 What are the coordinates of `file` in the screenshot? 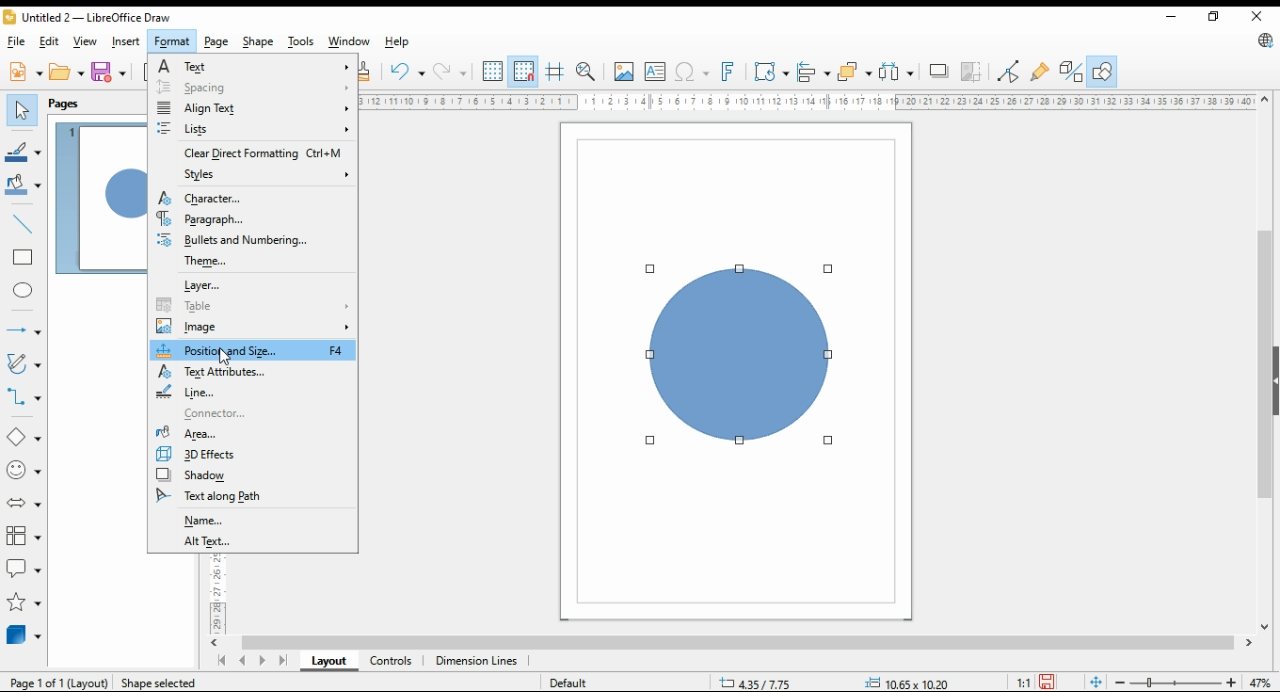 It's located at (17, 42).